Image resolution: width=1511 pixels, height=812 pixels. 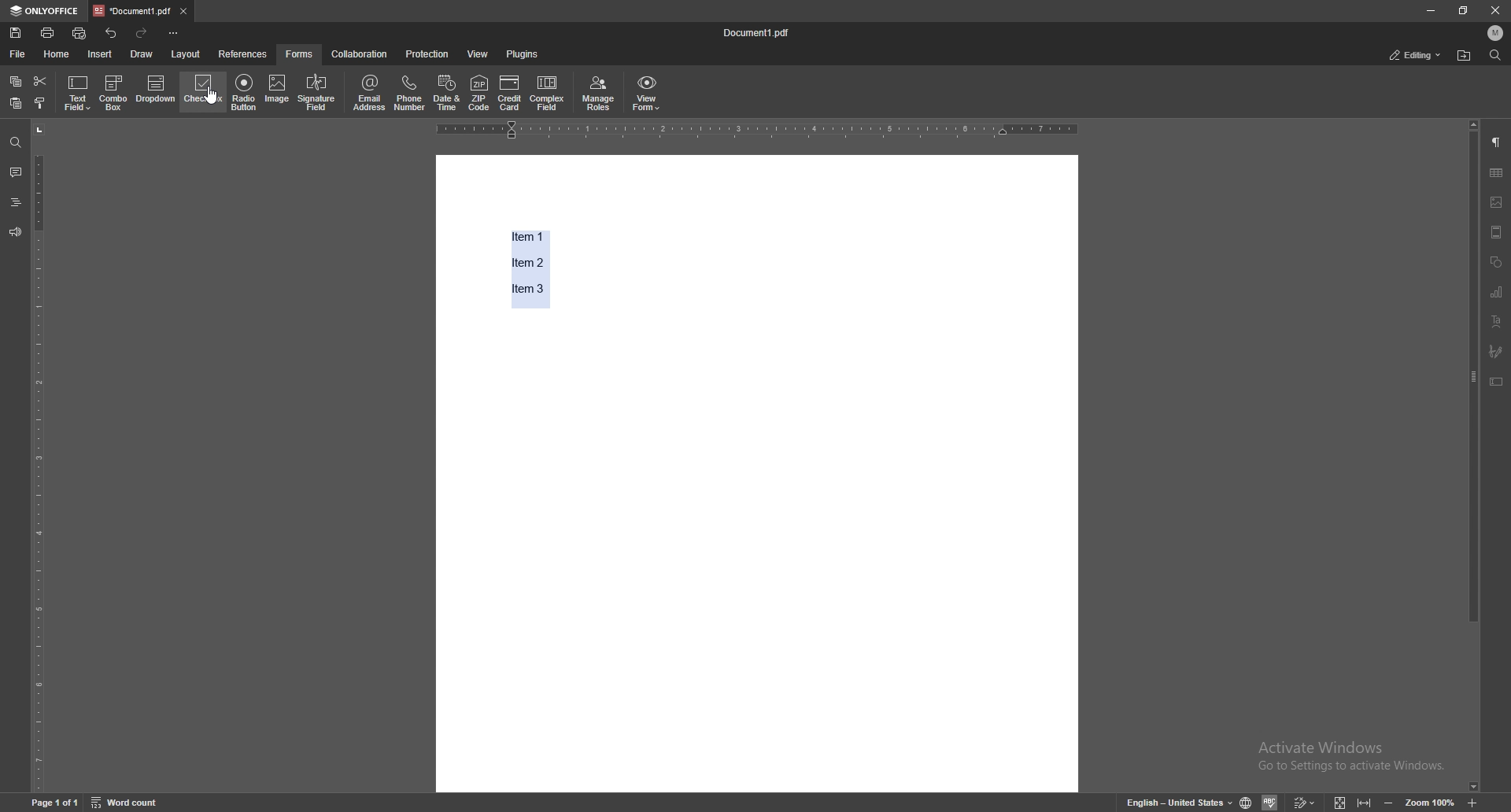 I want to click on credit card, so click(x=512, y=94).